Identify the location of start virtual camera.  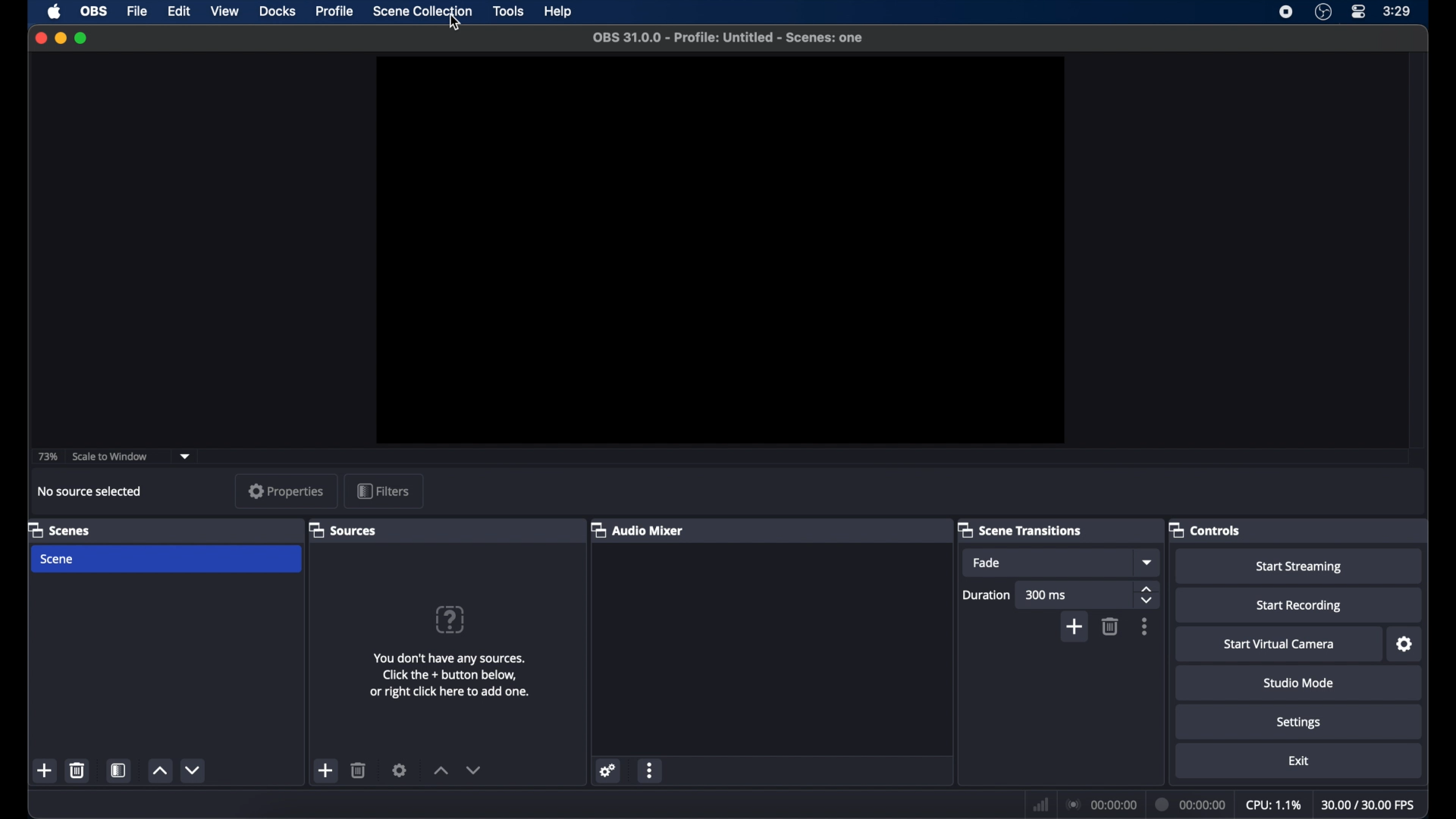
(1278, 645).